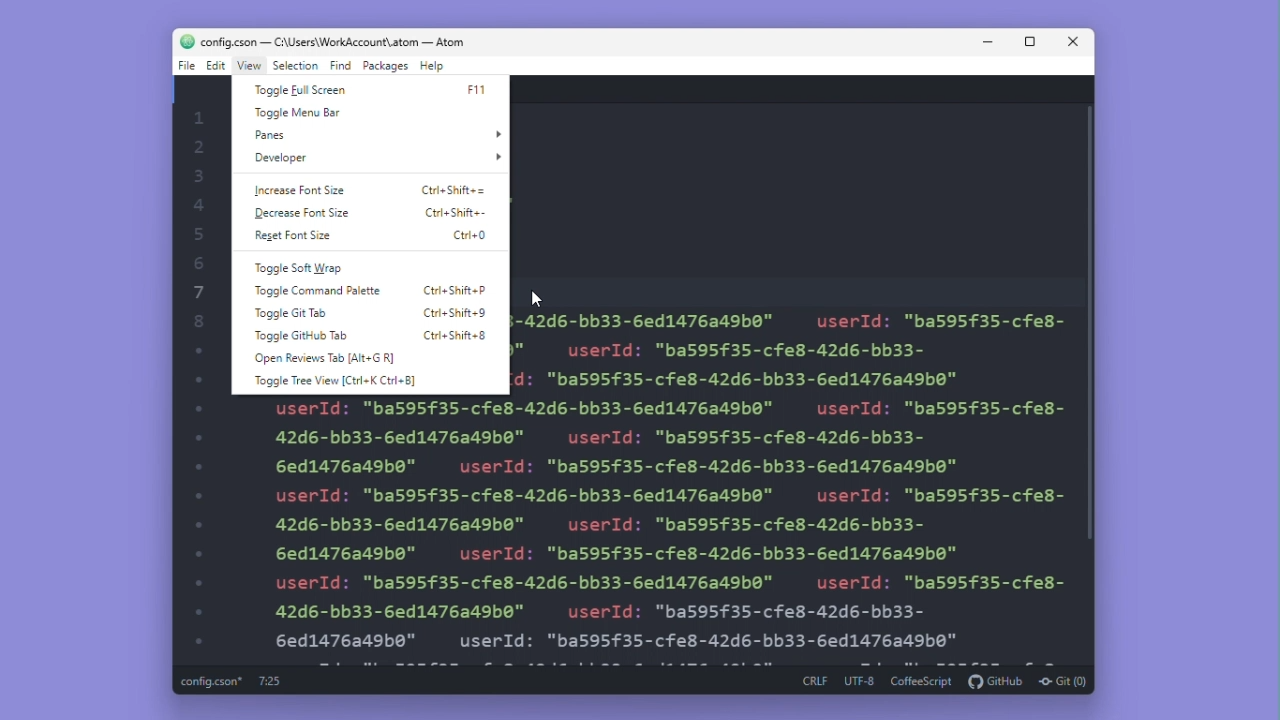 The height and width of the screenshot is (720, 1280). Describe the element at coordinates (321, 40) in the screenshot. I see `config.cson-C:\Users\WorkAccount\atom-Atom` at that location.